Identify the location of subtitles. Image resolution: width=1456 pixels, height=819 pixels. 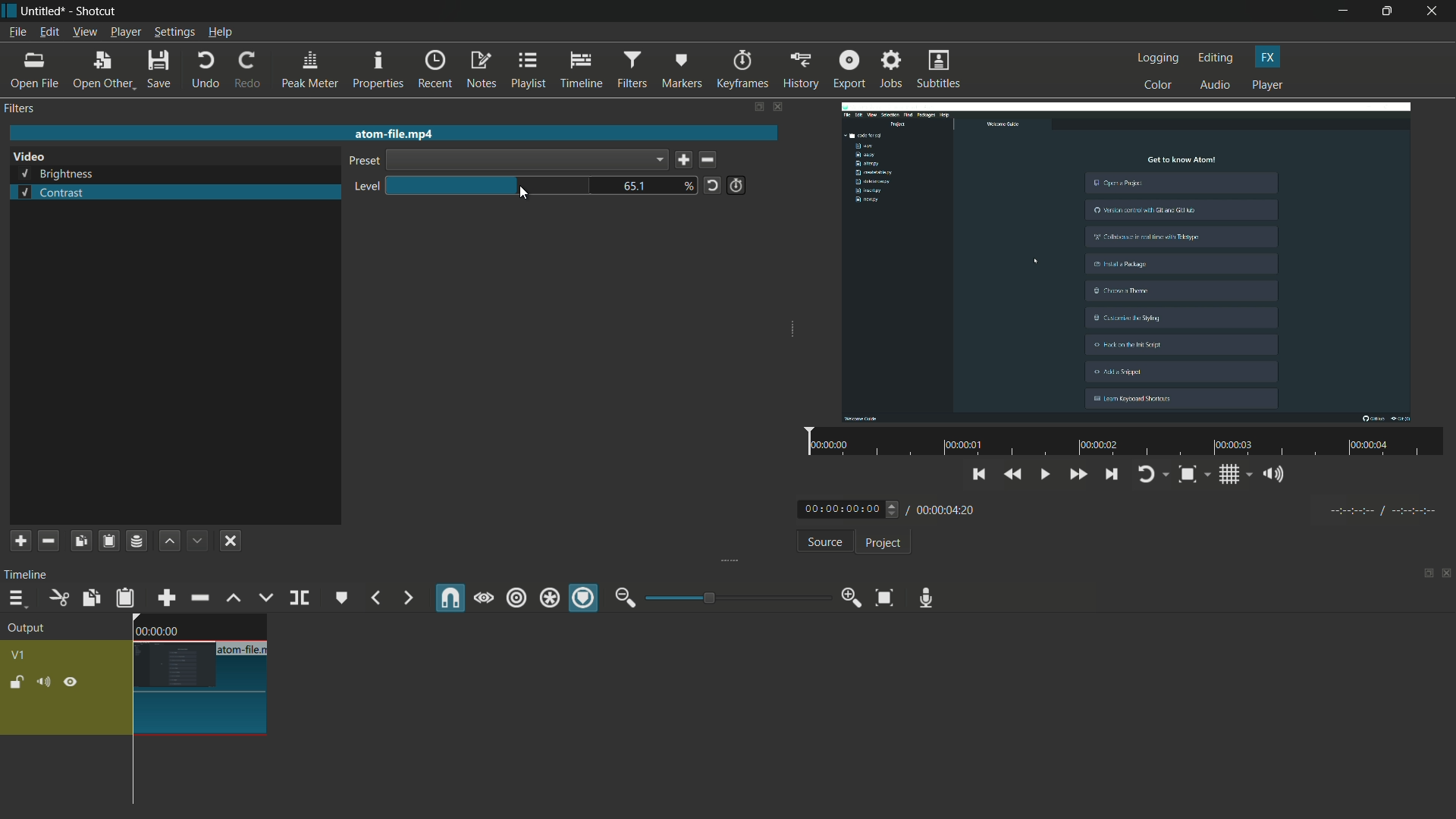
(940, 71).